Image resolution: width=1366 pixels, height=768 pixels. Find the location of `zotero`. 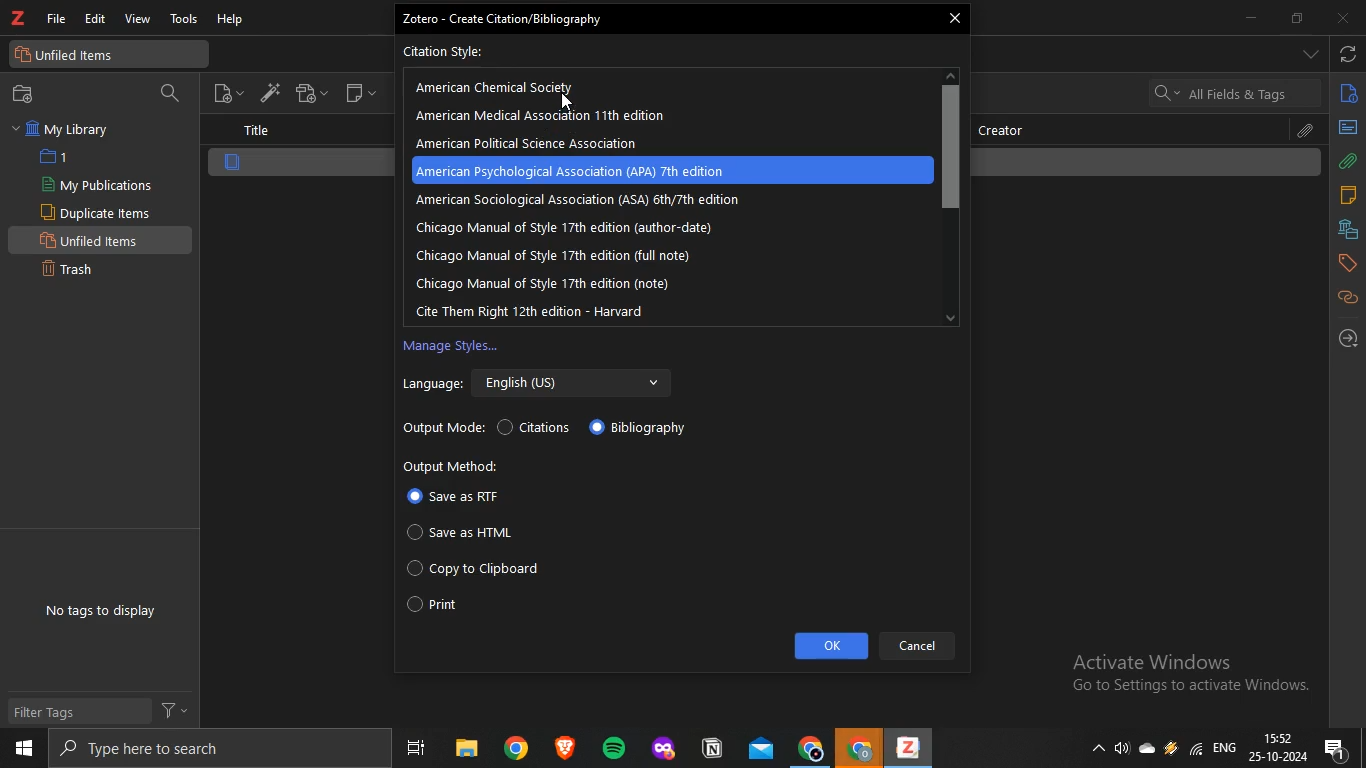

zotero is located at coordinates (19, 19).